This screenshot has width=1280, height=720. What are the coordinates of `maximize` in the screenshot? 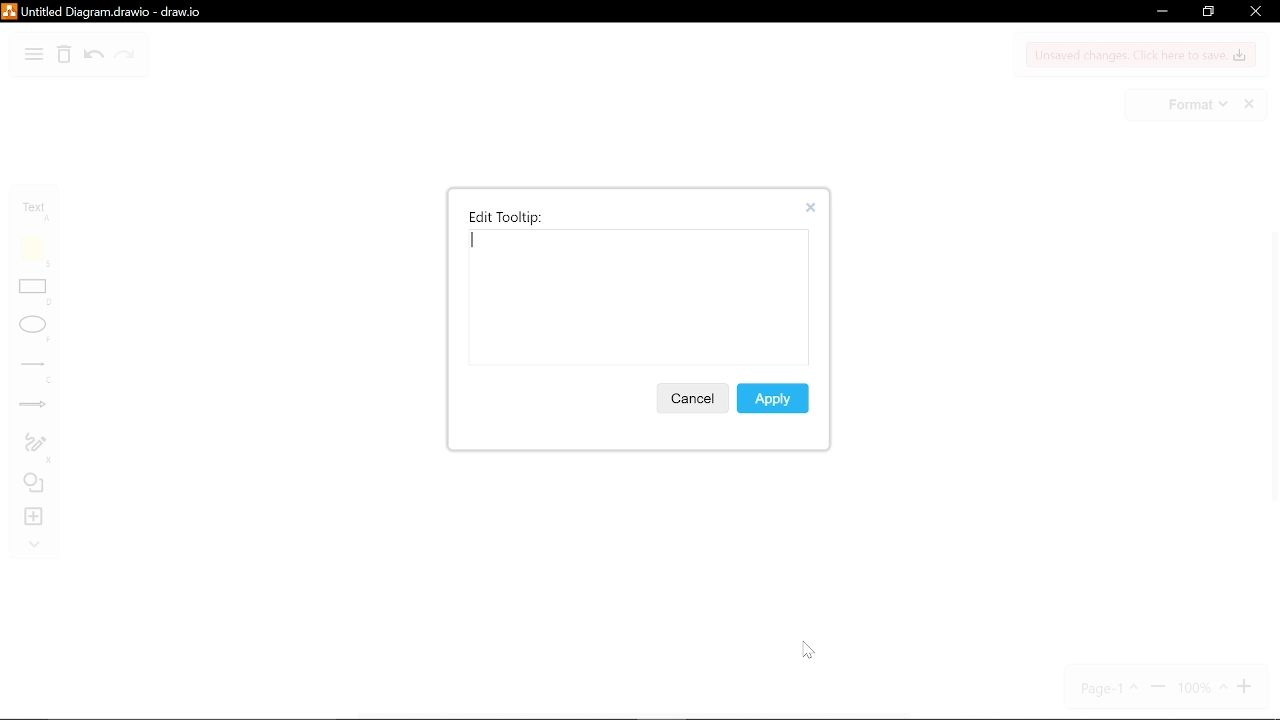 It's located at (1207, 12).